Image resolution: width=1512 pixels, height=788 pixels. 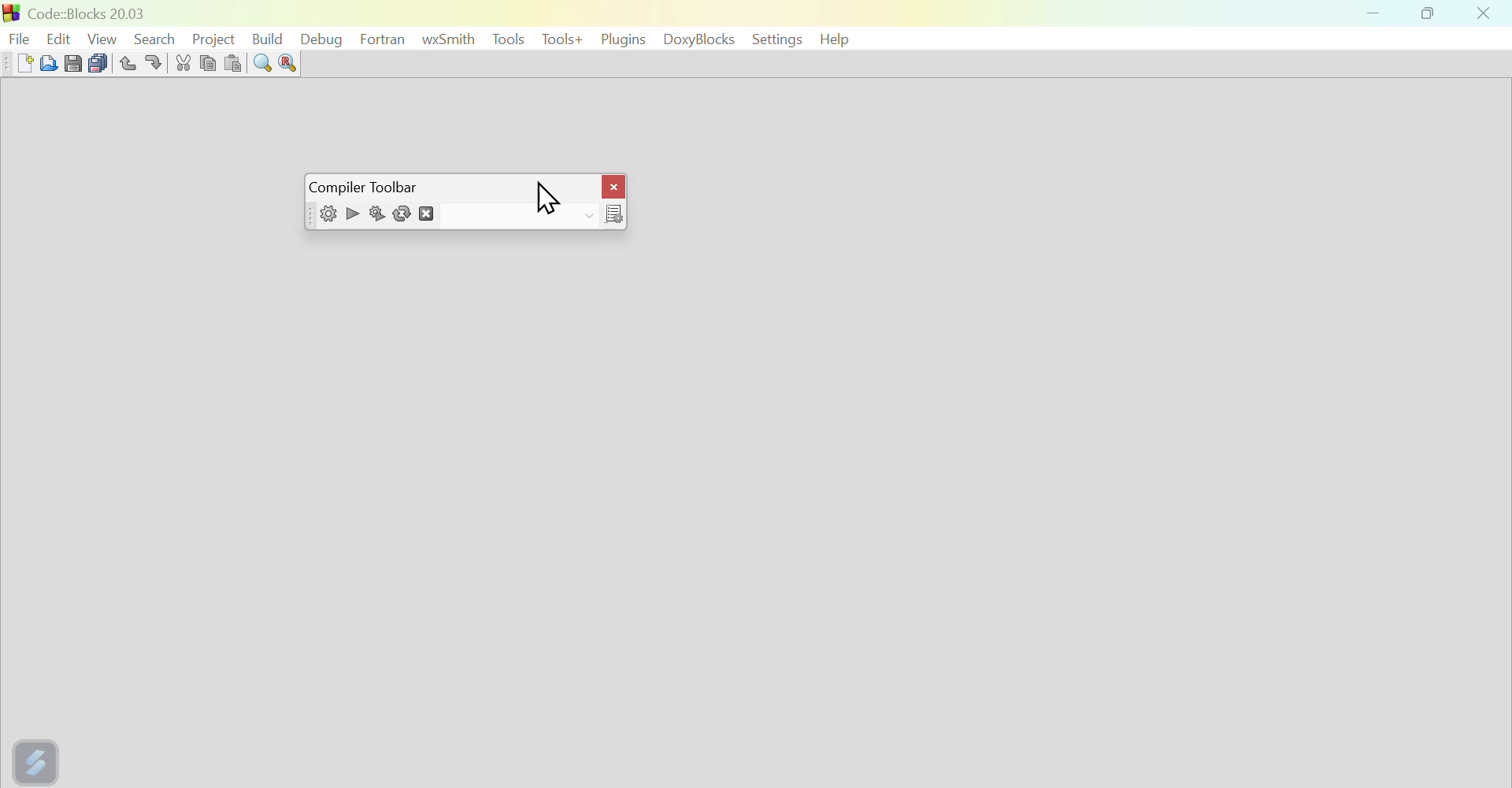 What do you see at coordinates (541, 196) in the screenshot?
I see `Cursor` at bounding box center [541, 196].